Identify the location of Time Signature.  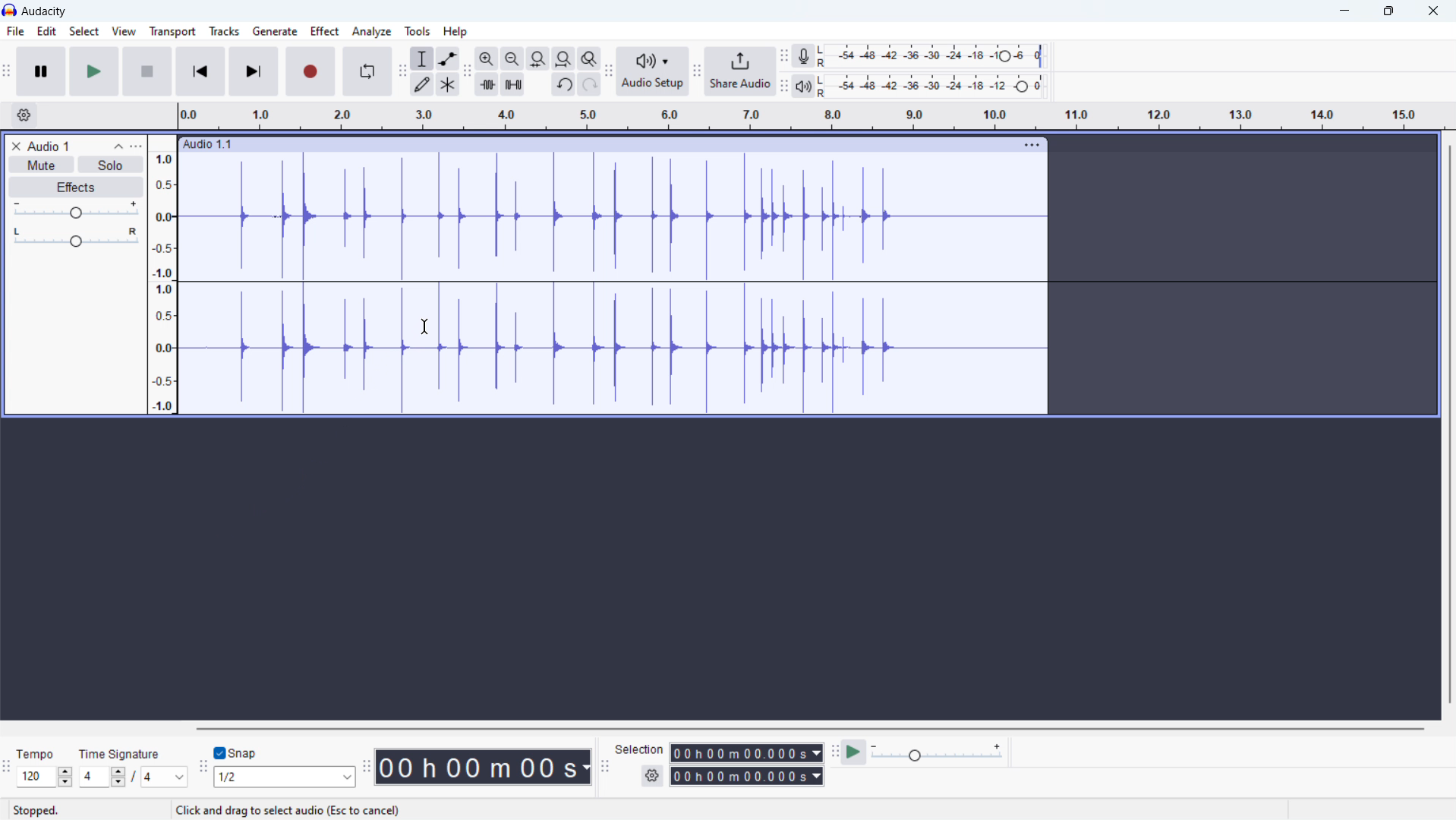
(125, 750).